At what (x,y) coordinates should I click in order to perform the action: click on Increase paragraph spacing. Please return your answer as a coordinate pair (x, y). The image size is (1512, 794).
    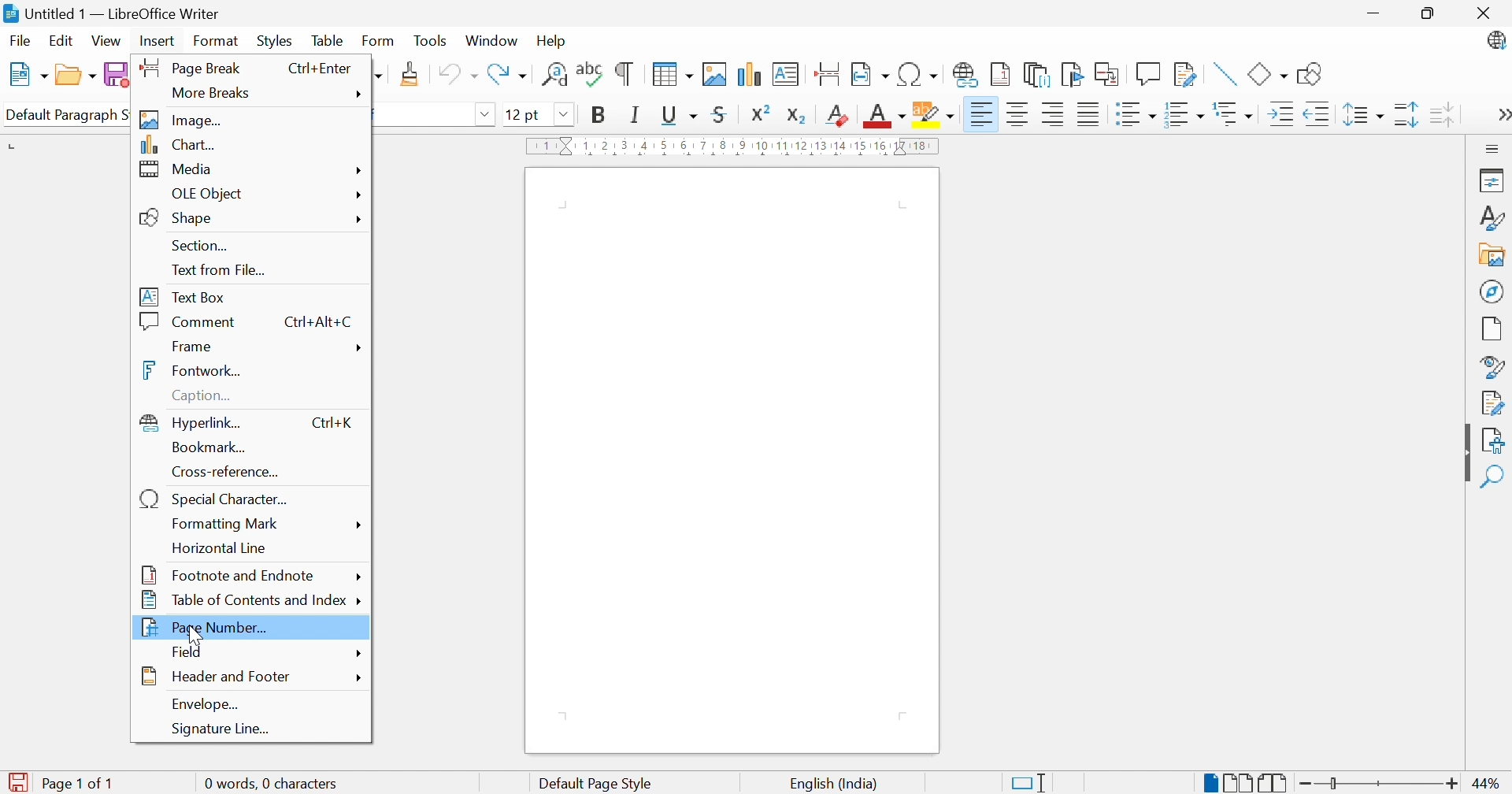
    Looking at the image, I should click on (1407, 116).